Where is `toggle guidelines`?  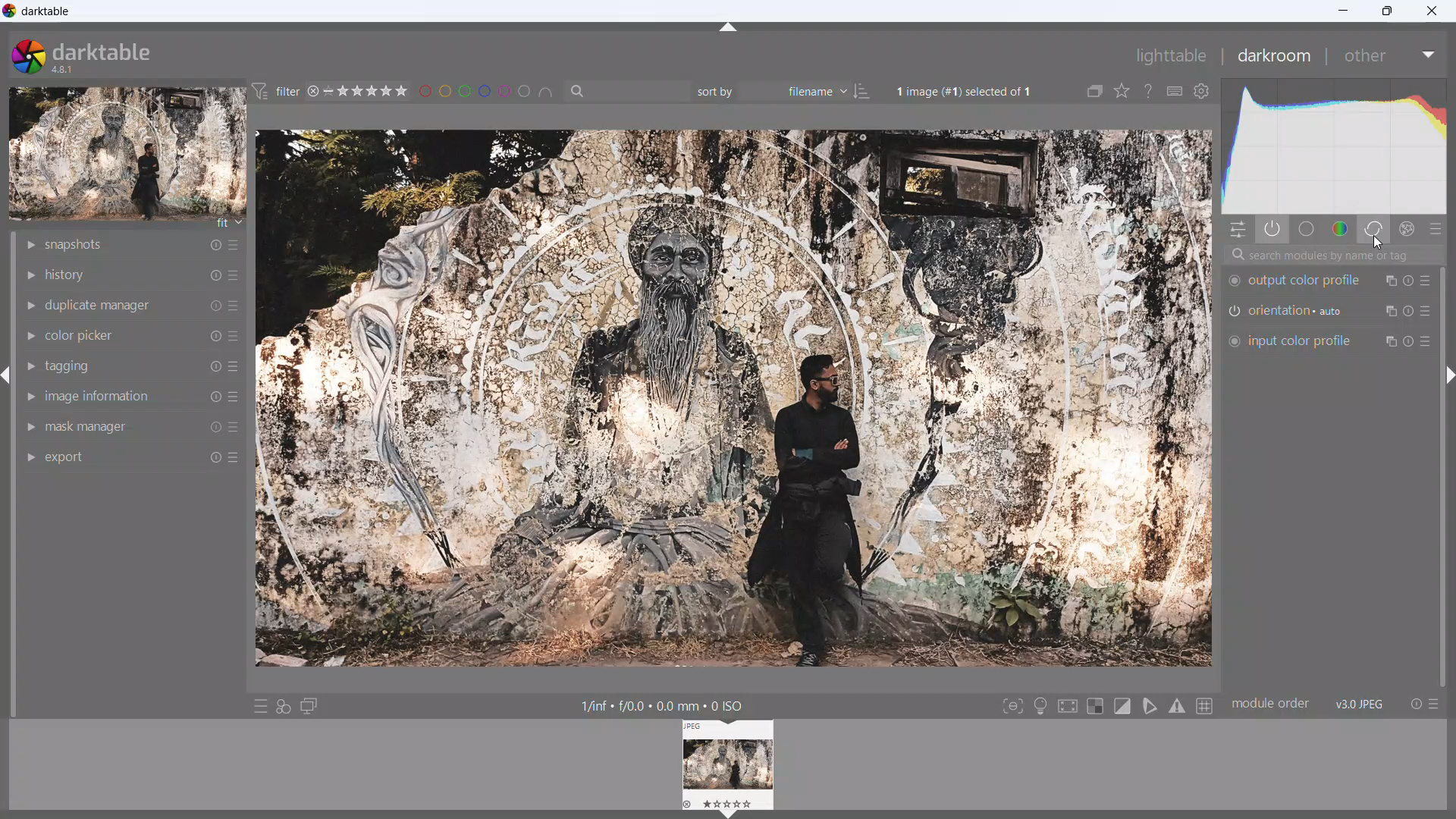
toggle guidelines is located at coordinates (1205, 706).